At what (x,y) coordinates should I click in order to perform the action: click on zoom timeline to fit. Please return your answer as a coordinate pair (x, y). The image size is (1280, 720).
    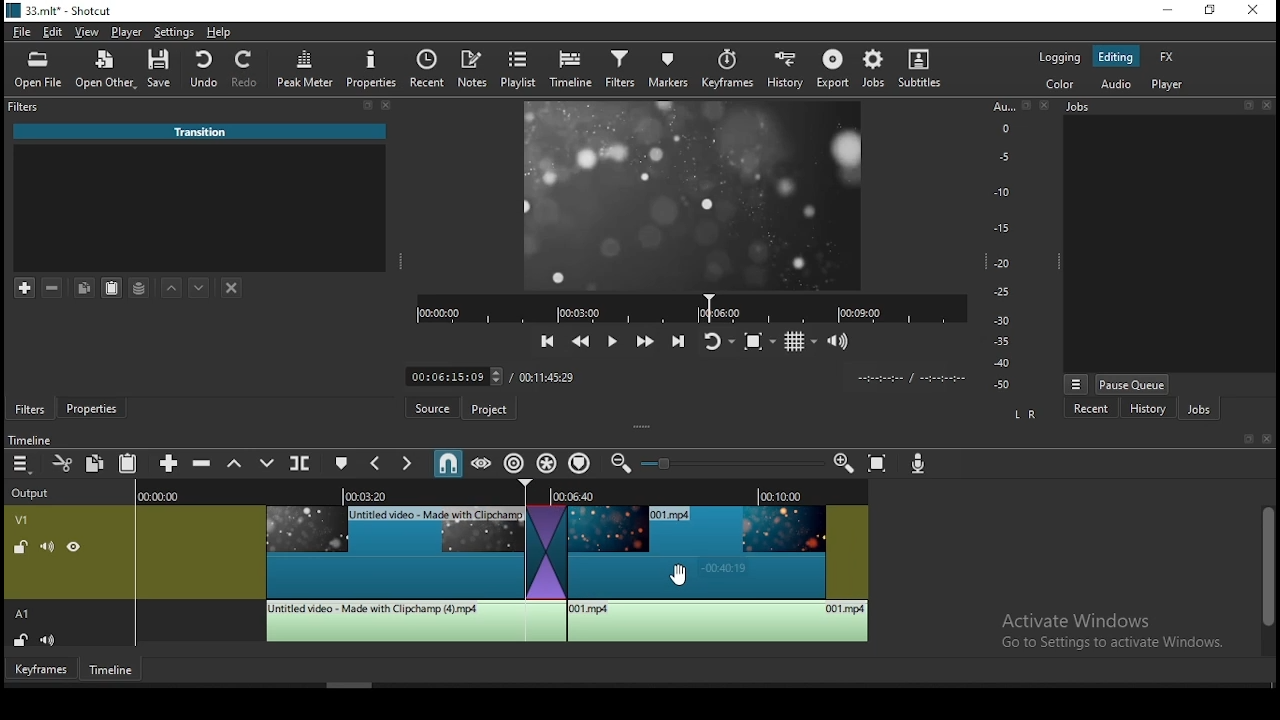
    Looking at the image, I should click on (884, 464).